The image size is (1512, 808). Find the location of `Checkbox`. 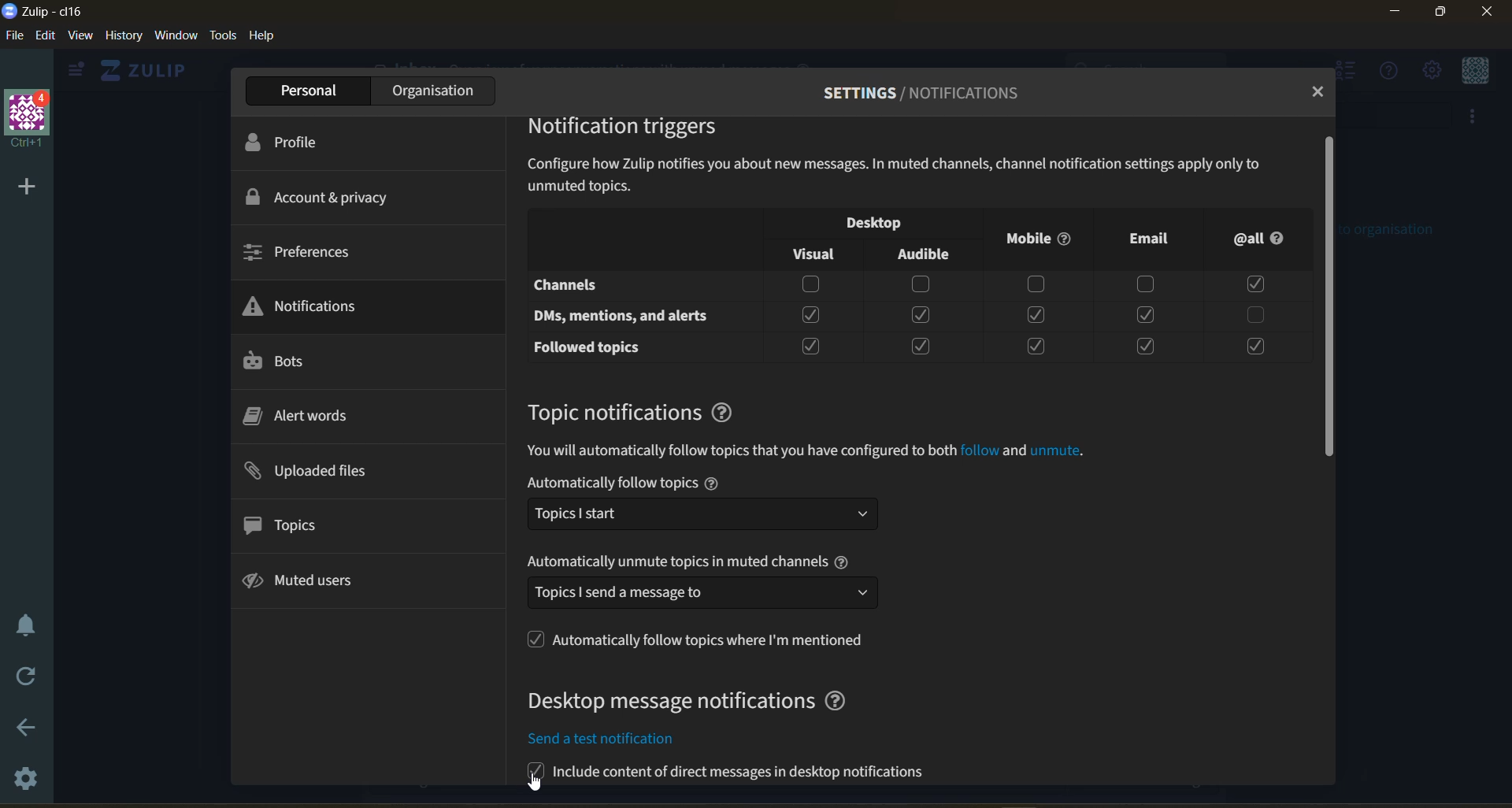

Checkbox is located at coordinates (1036, 313).